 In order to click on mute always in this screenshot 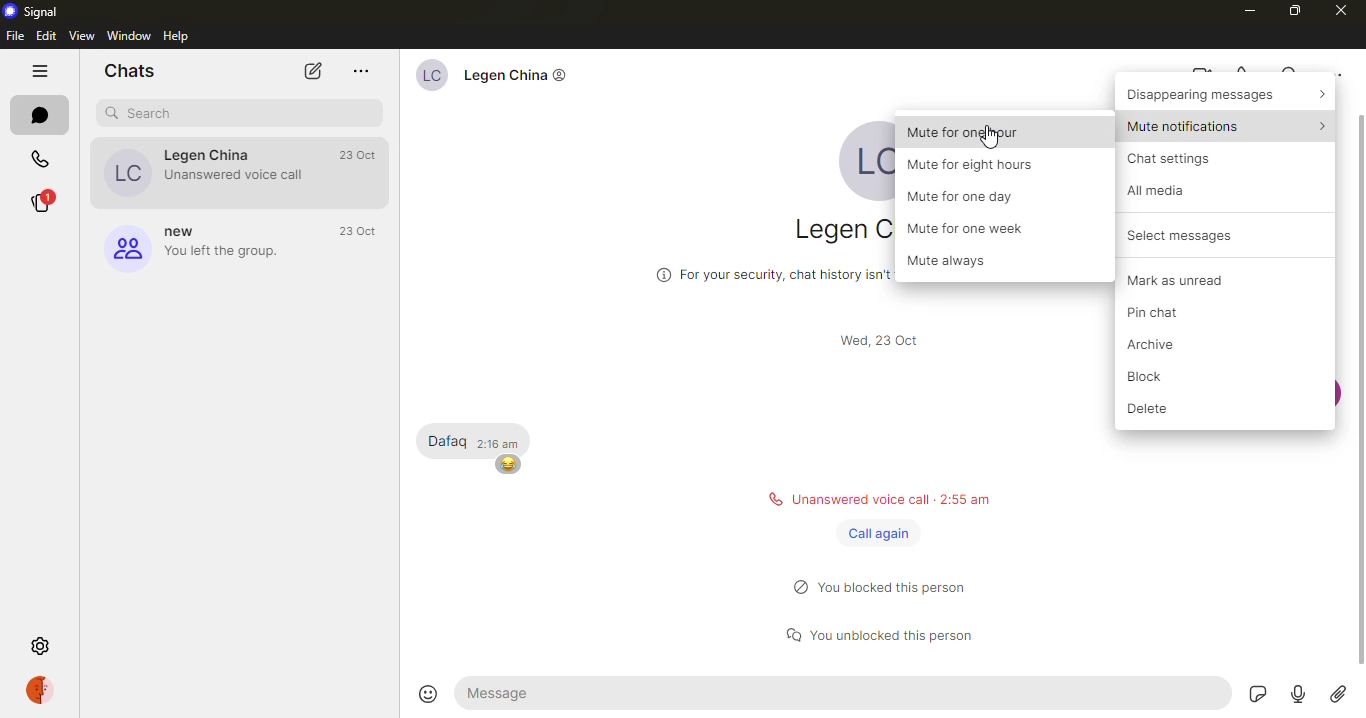, I will do `click(956, 262)`.